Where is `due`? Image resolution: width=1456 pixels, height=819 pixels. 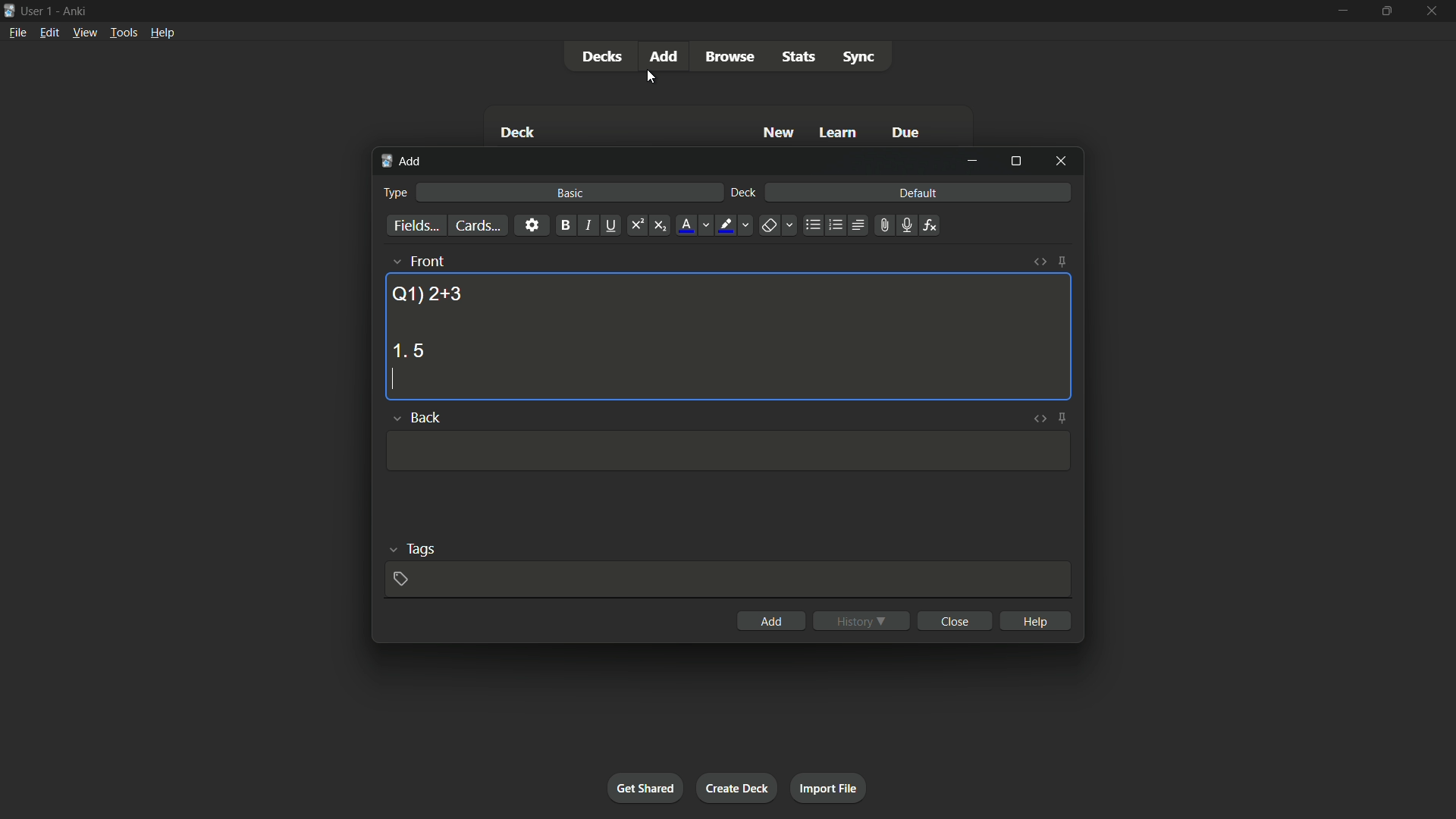
due is located at coordinates (906, 134).